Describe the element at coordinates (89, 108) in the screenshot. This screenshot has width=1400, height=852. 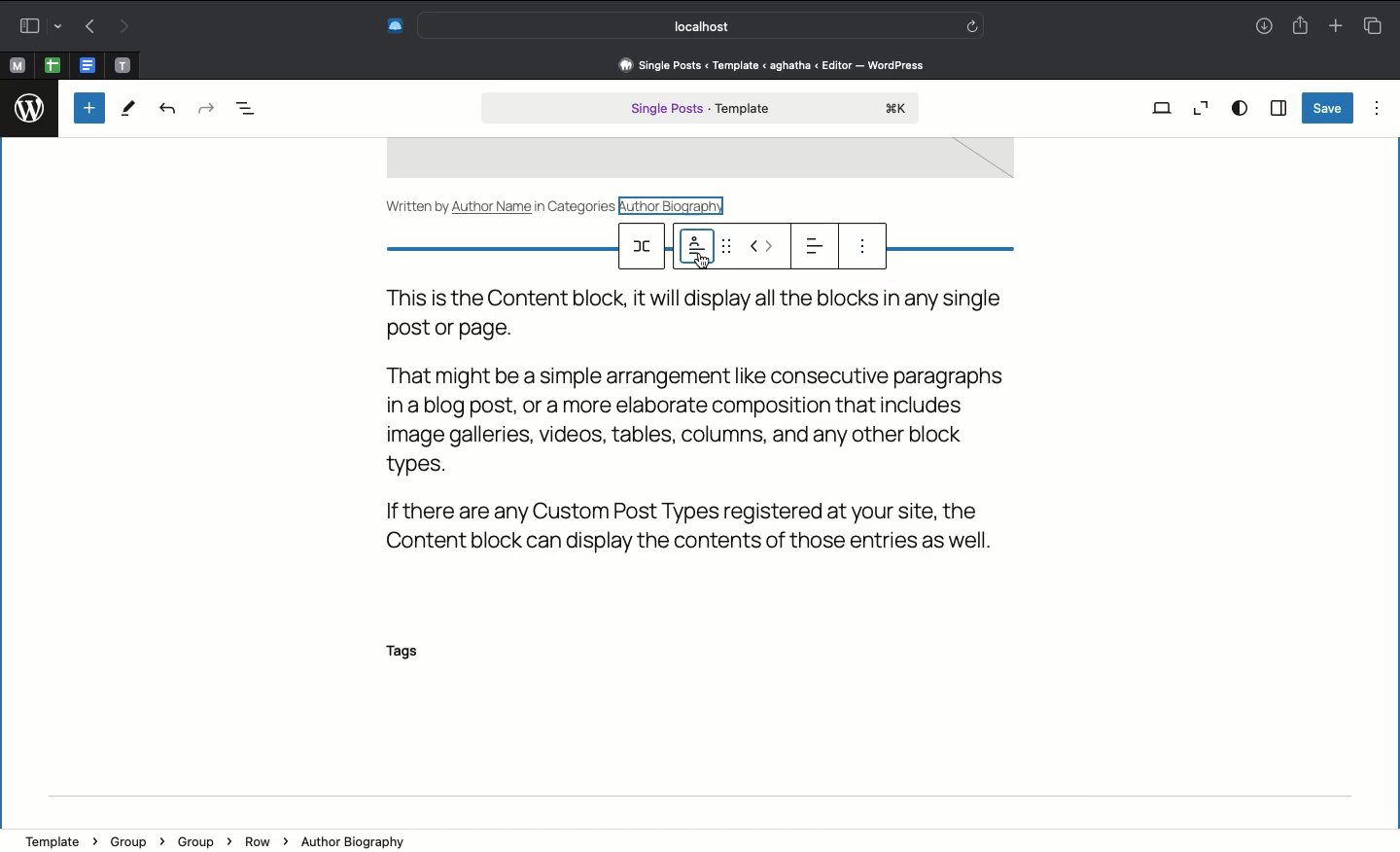
I see `Add new block` at that location.